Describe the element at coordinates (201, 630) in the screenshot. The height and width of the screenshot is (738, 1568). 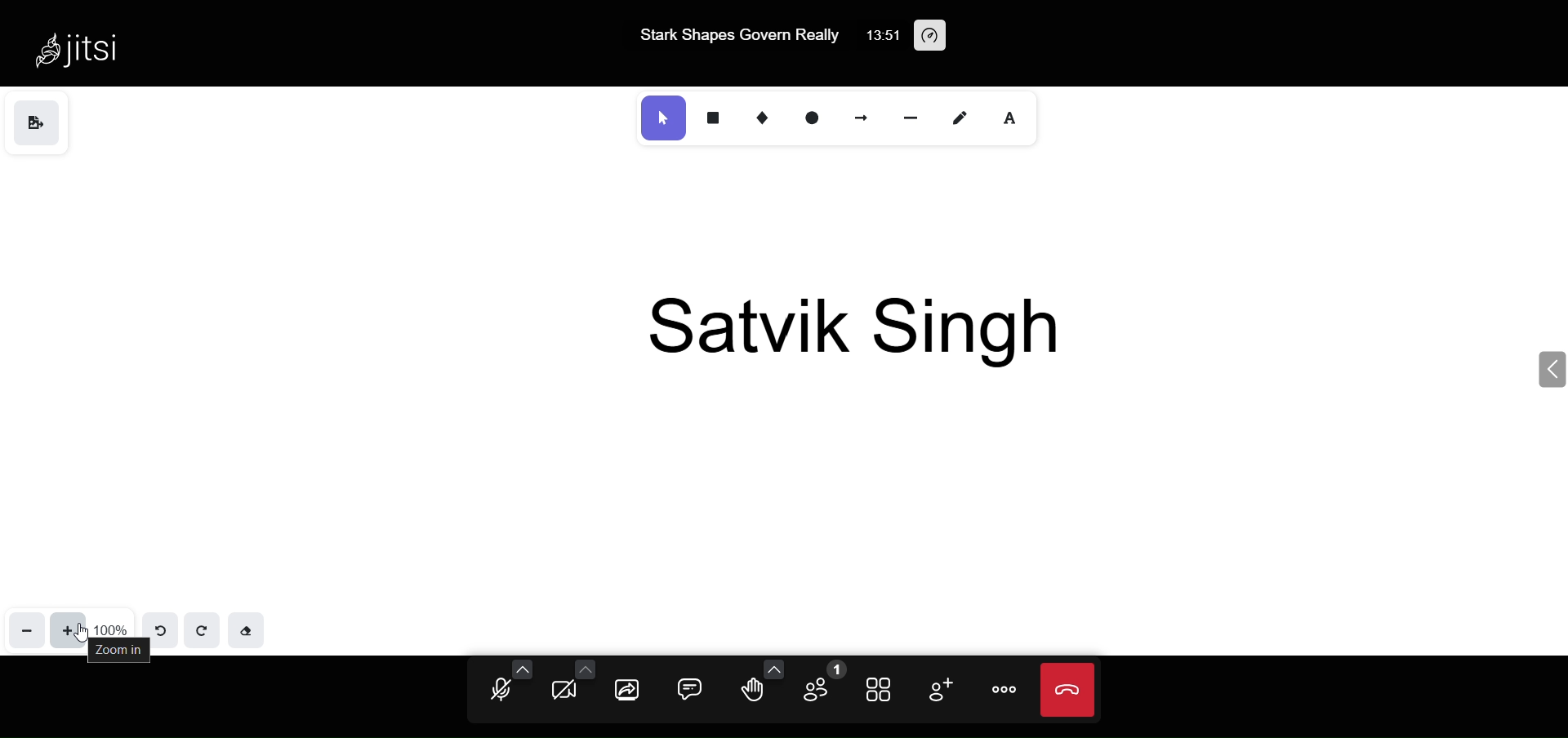
I see `redo` at that location.